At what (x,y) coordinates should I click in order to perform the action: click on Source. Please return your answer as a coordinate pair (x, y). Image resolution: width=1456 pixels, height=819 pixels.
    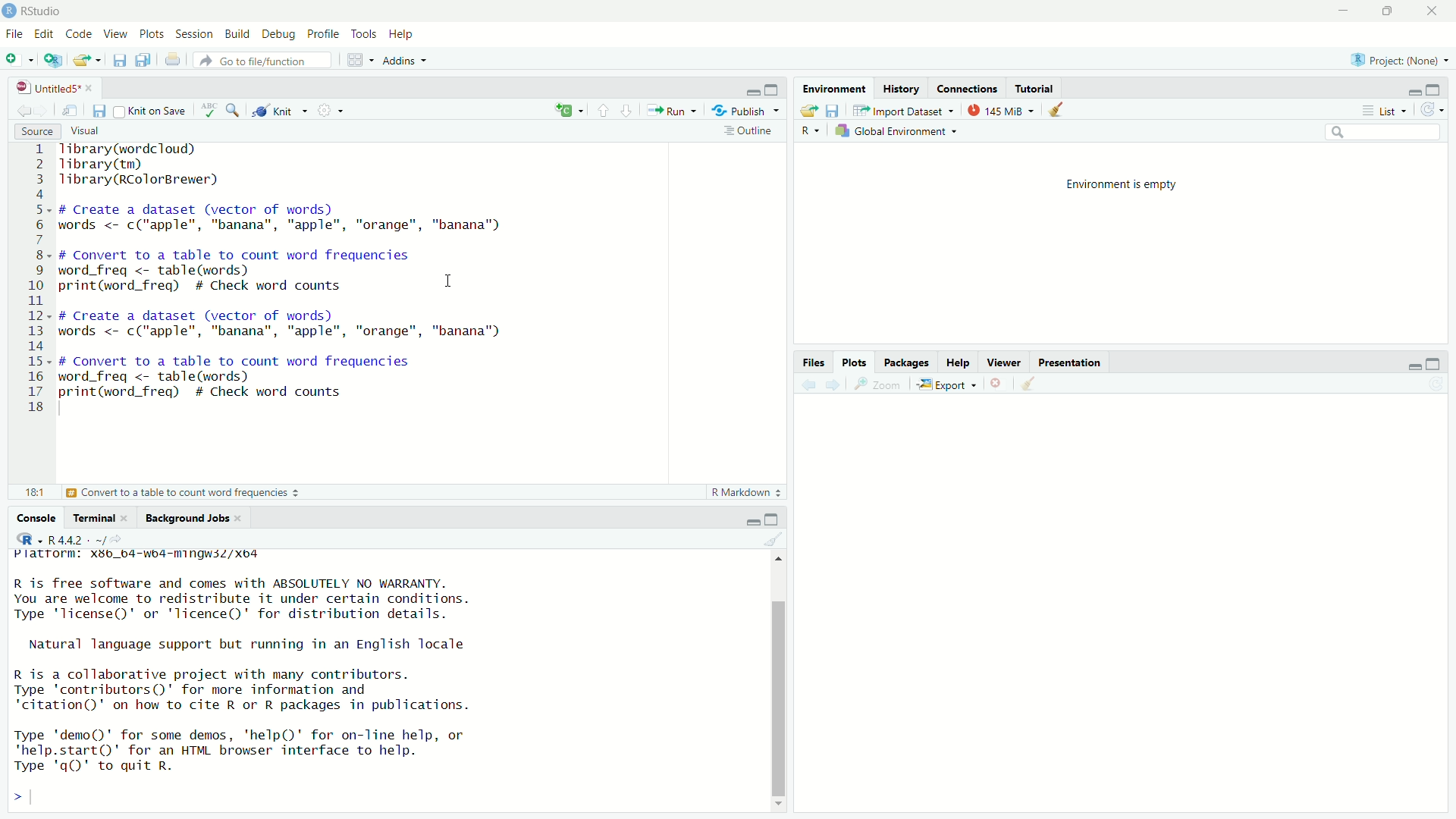
    Looking at the image, I should click on (35, 131).